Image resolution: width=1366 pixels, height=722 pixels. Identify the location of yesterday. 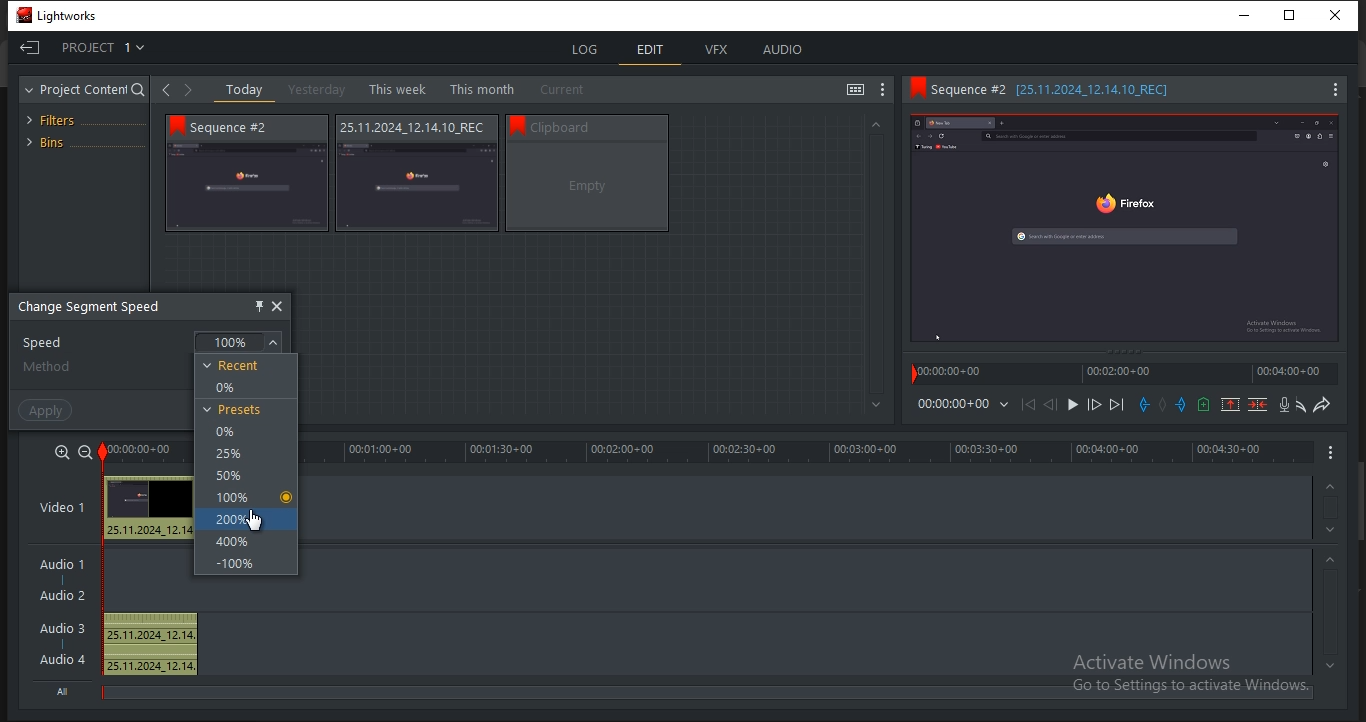
(316, 89).